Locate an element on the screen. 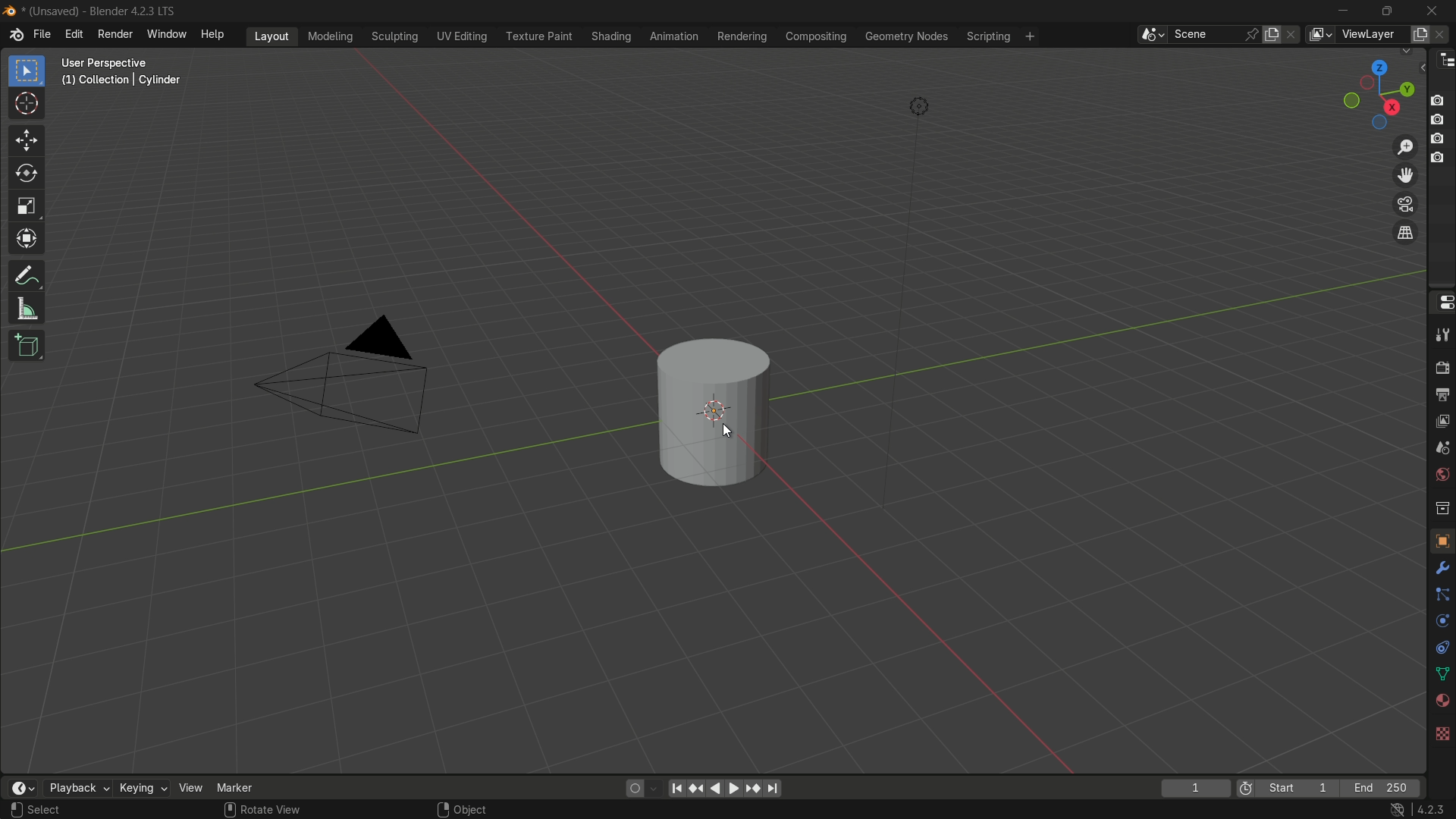 This screenshot has width=1456, height=819. pin scene to workplace is located at coordinates (1251, 35).